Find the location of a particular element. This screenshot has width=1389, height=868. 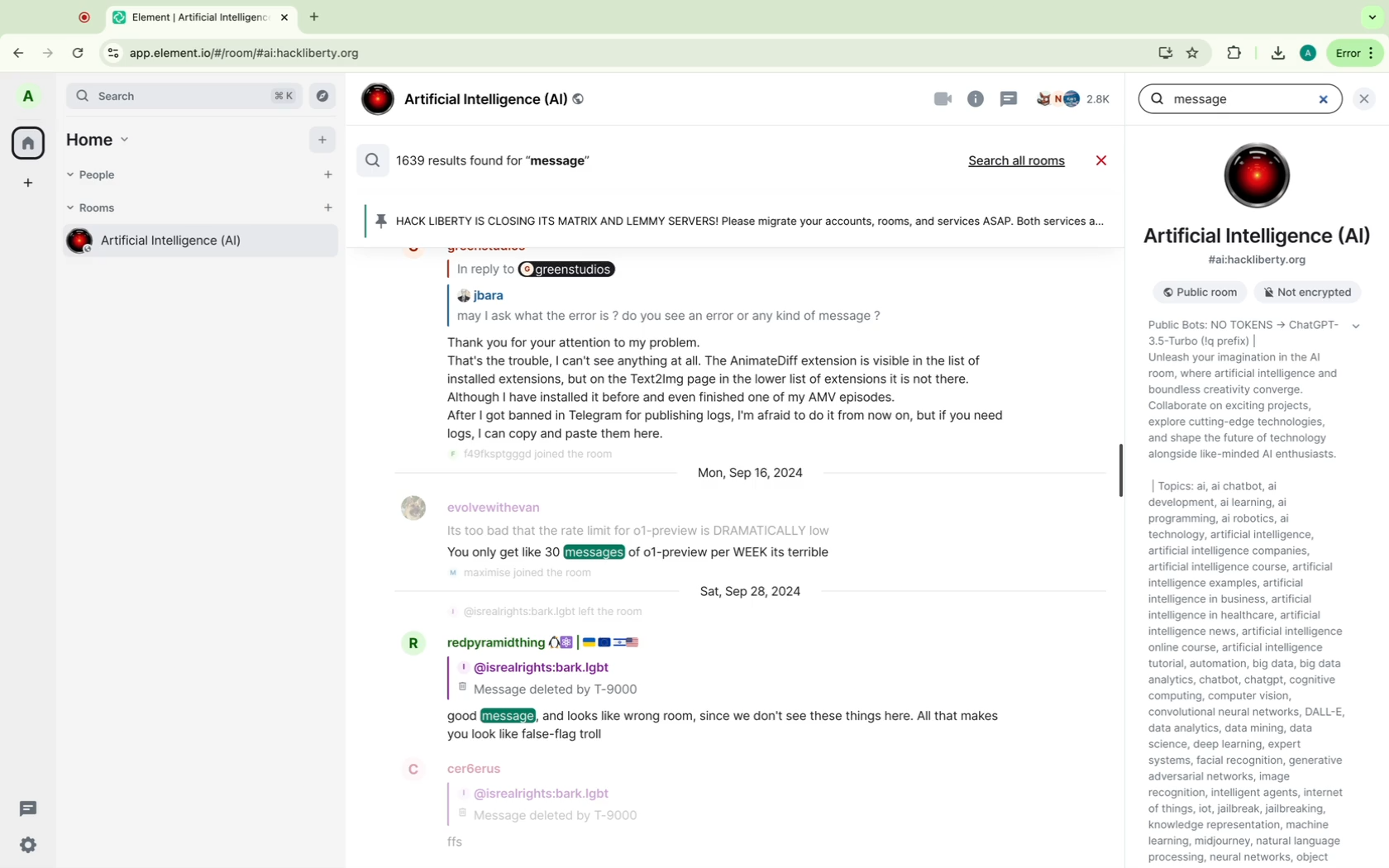

recording is located at coordinates (85, 17).